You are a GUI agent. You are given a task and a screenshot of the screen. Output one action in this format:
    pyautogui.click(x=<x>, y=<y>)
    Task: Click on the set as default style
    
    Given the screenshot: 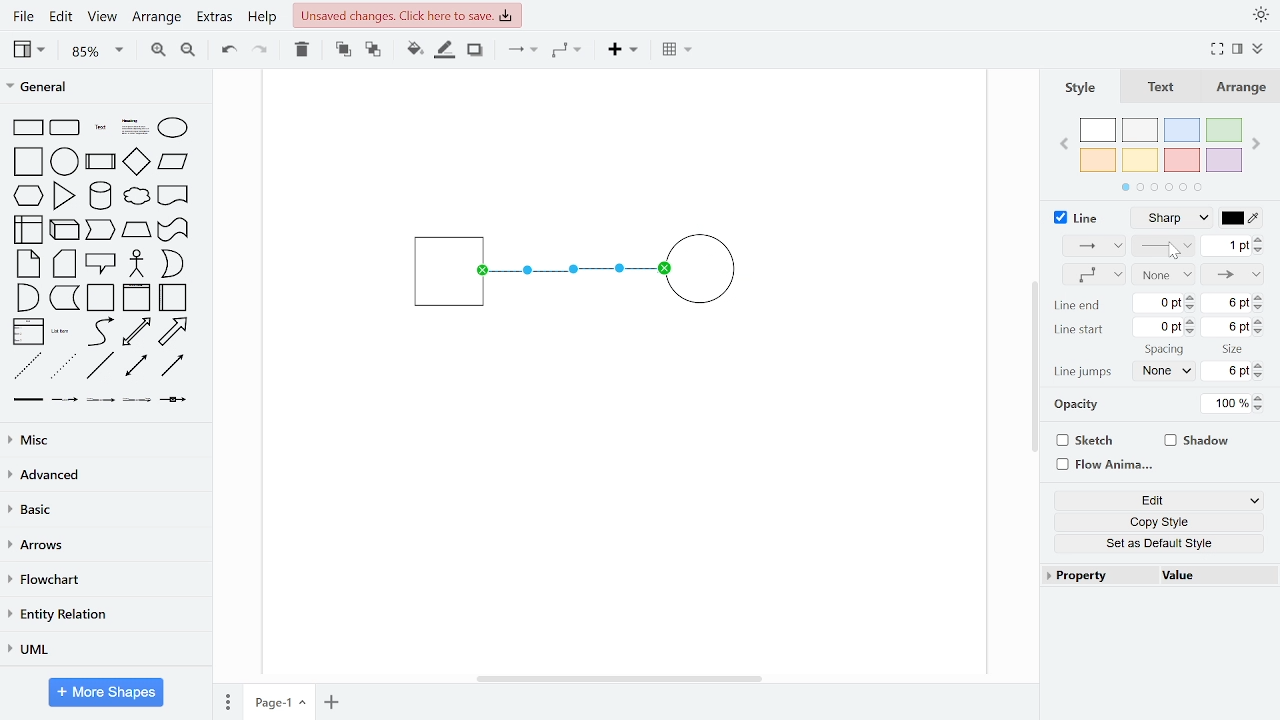 What is the action you would take?
    pyautogui.click(x=1159, y=543)
    